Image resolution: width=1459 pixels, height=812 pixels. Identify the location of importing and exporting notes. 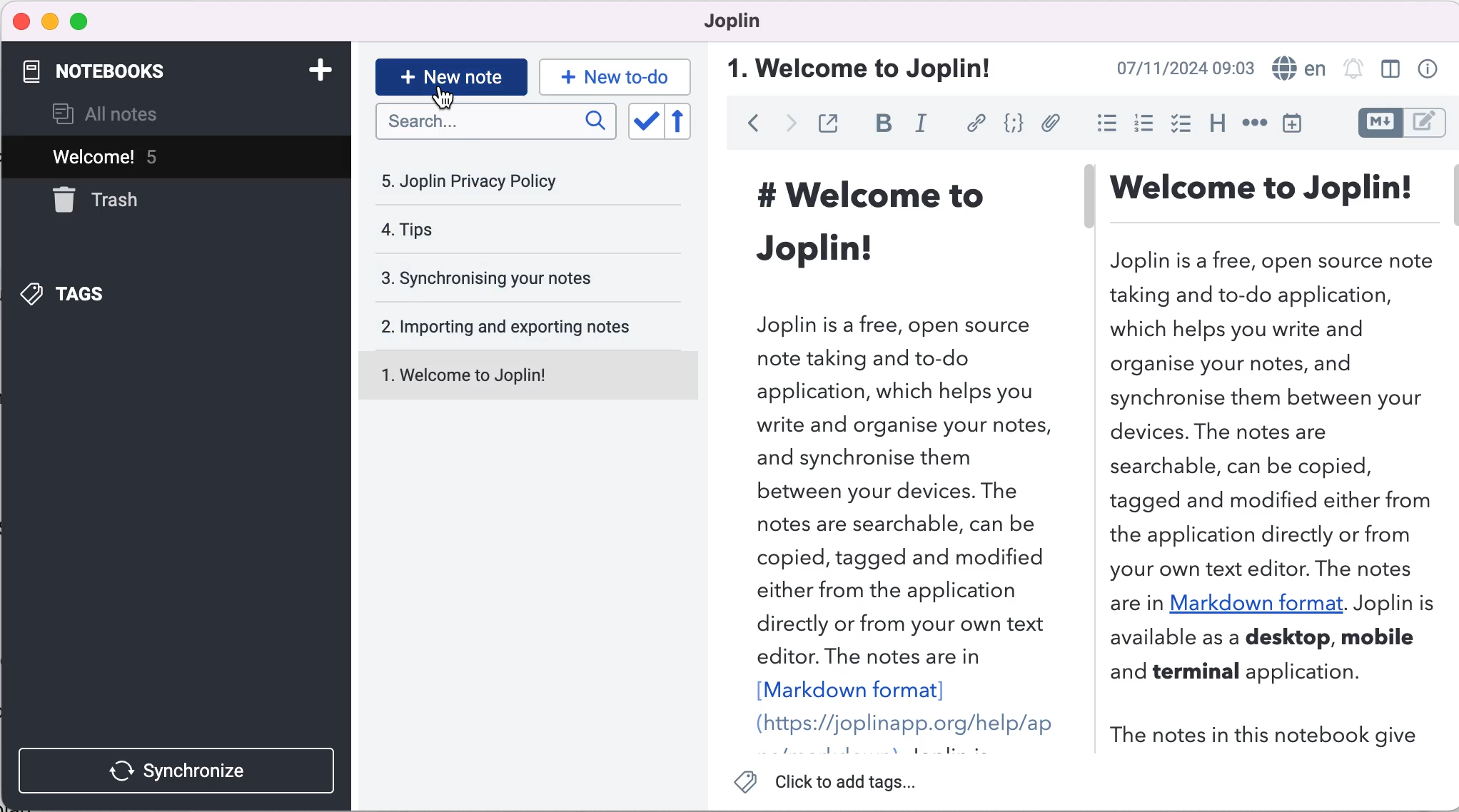
(515, 326).